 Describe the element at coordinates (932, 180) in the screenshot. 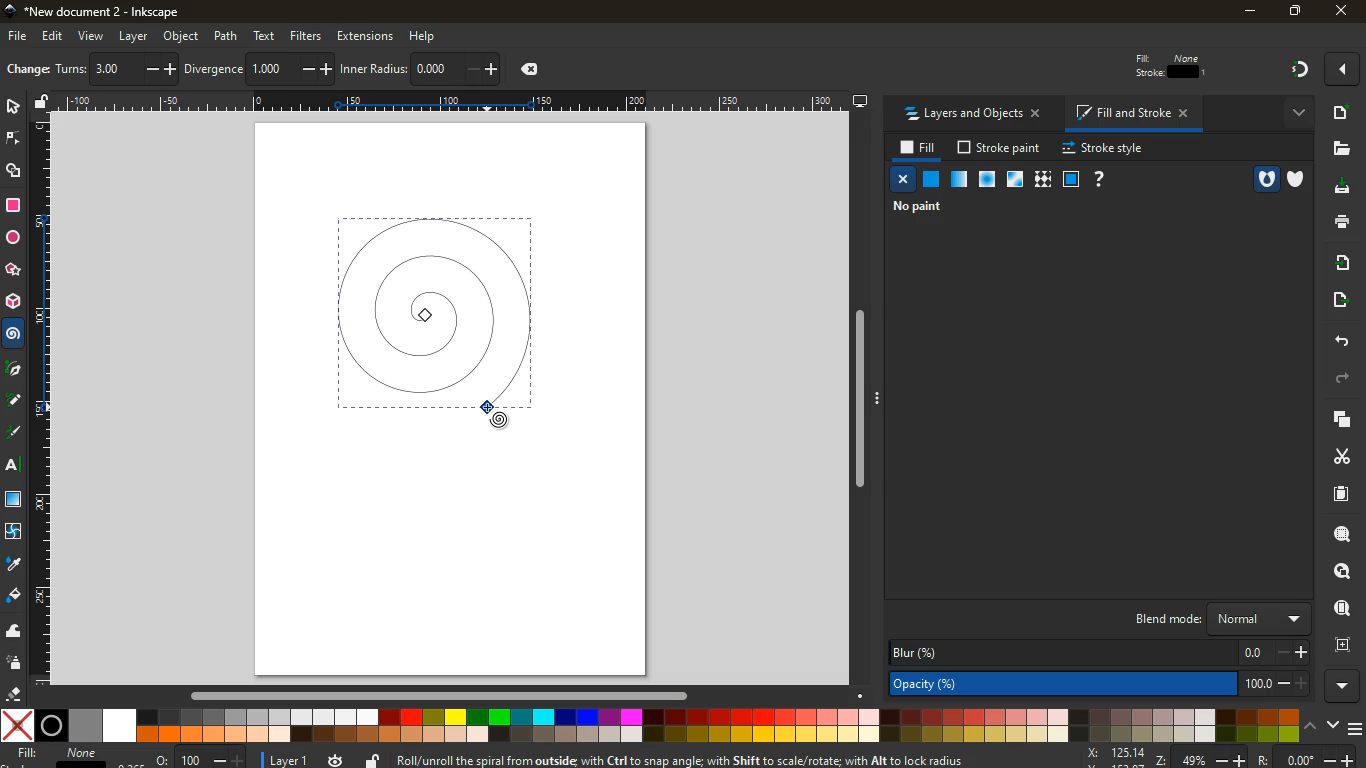

I see `normal` at that location.